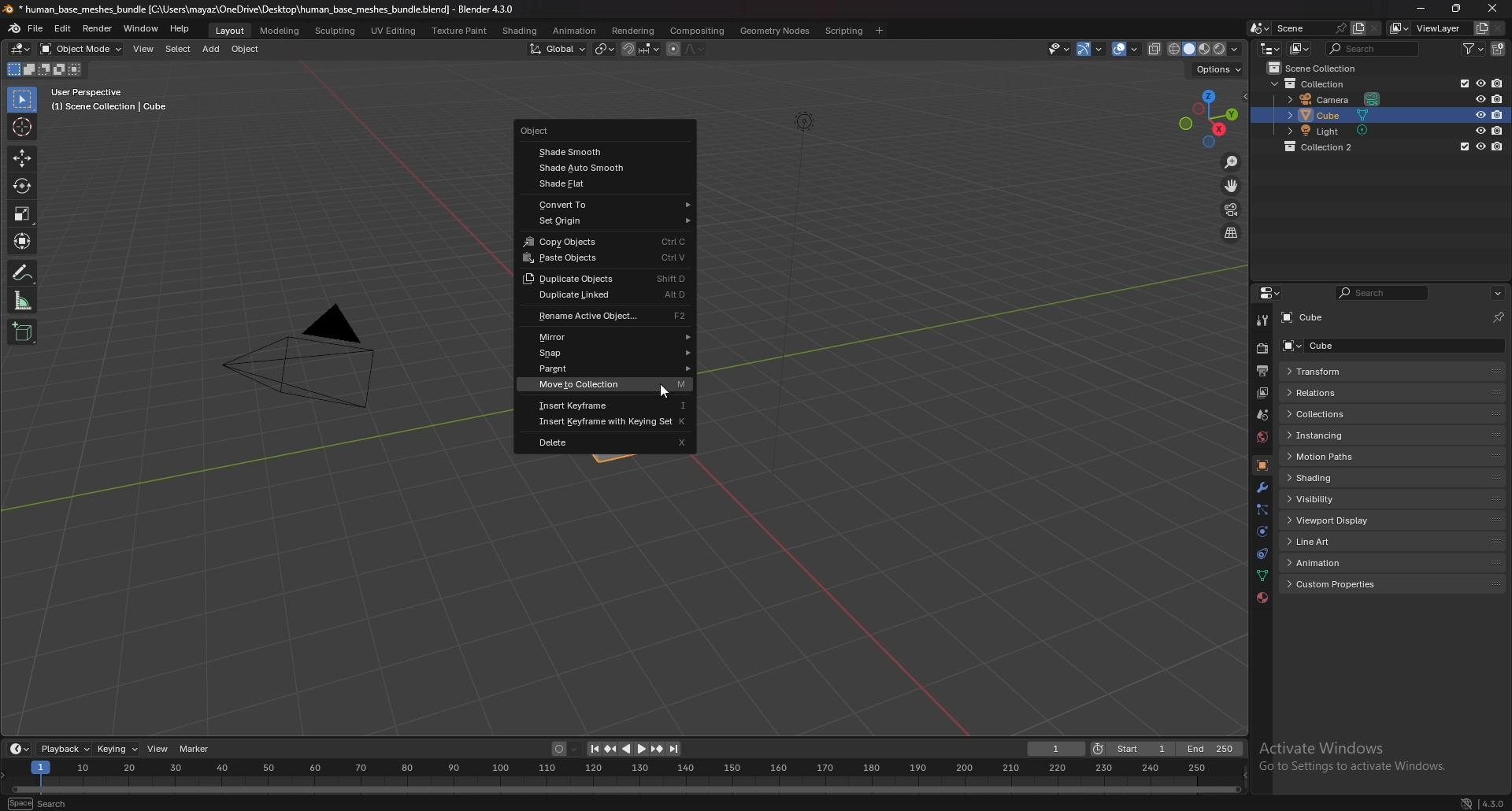 The height and width of the screenshot is (811, 1512). Describe the element at coordinates (590, 131) in the screenshot. I see `object` at that location.